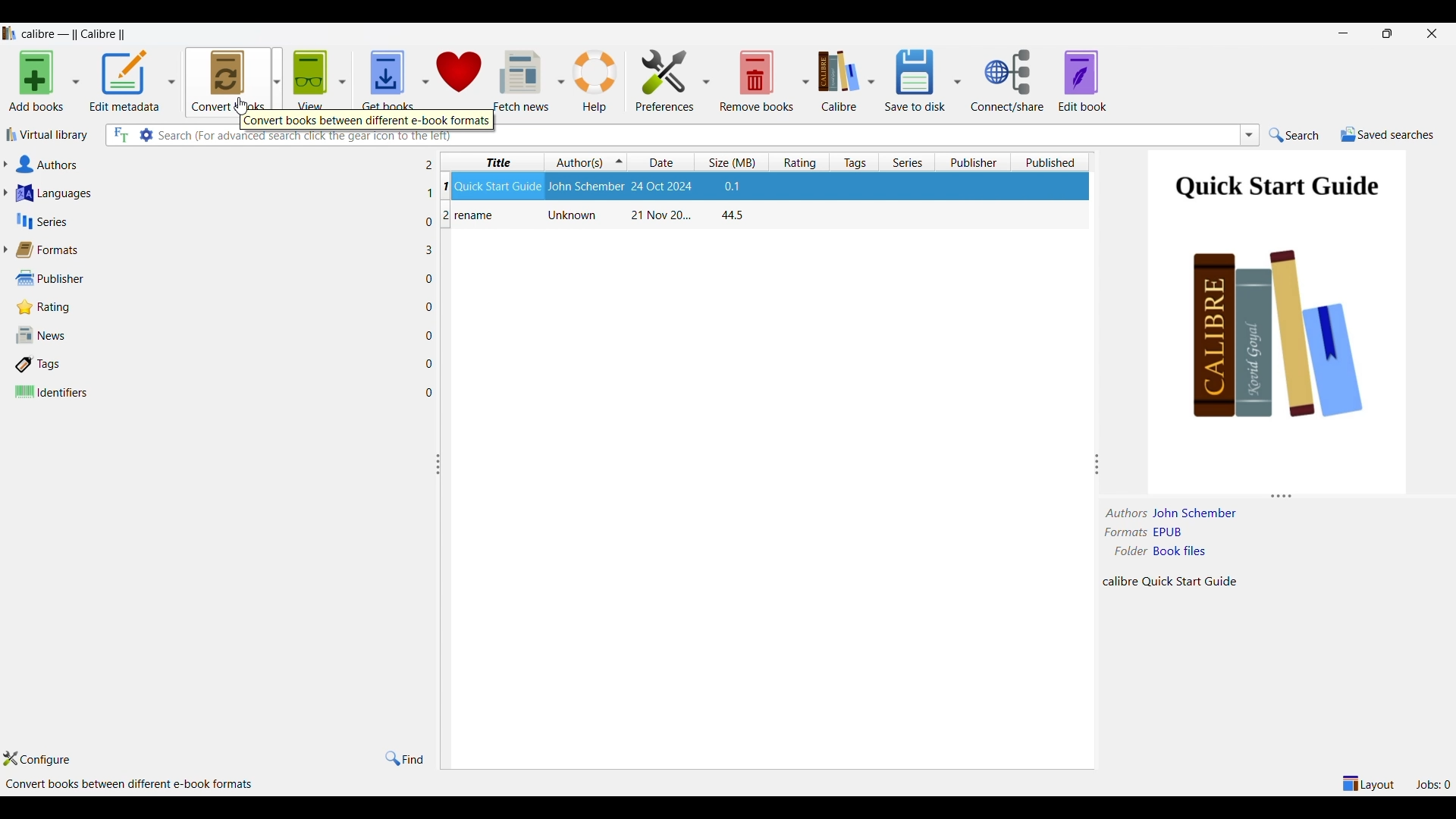 The width and height of the screenshot is (1456, 819). What do you see at coordinates (34, 82) in the screenshot?
I see `Add books` at bounding box center [34, 82].